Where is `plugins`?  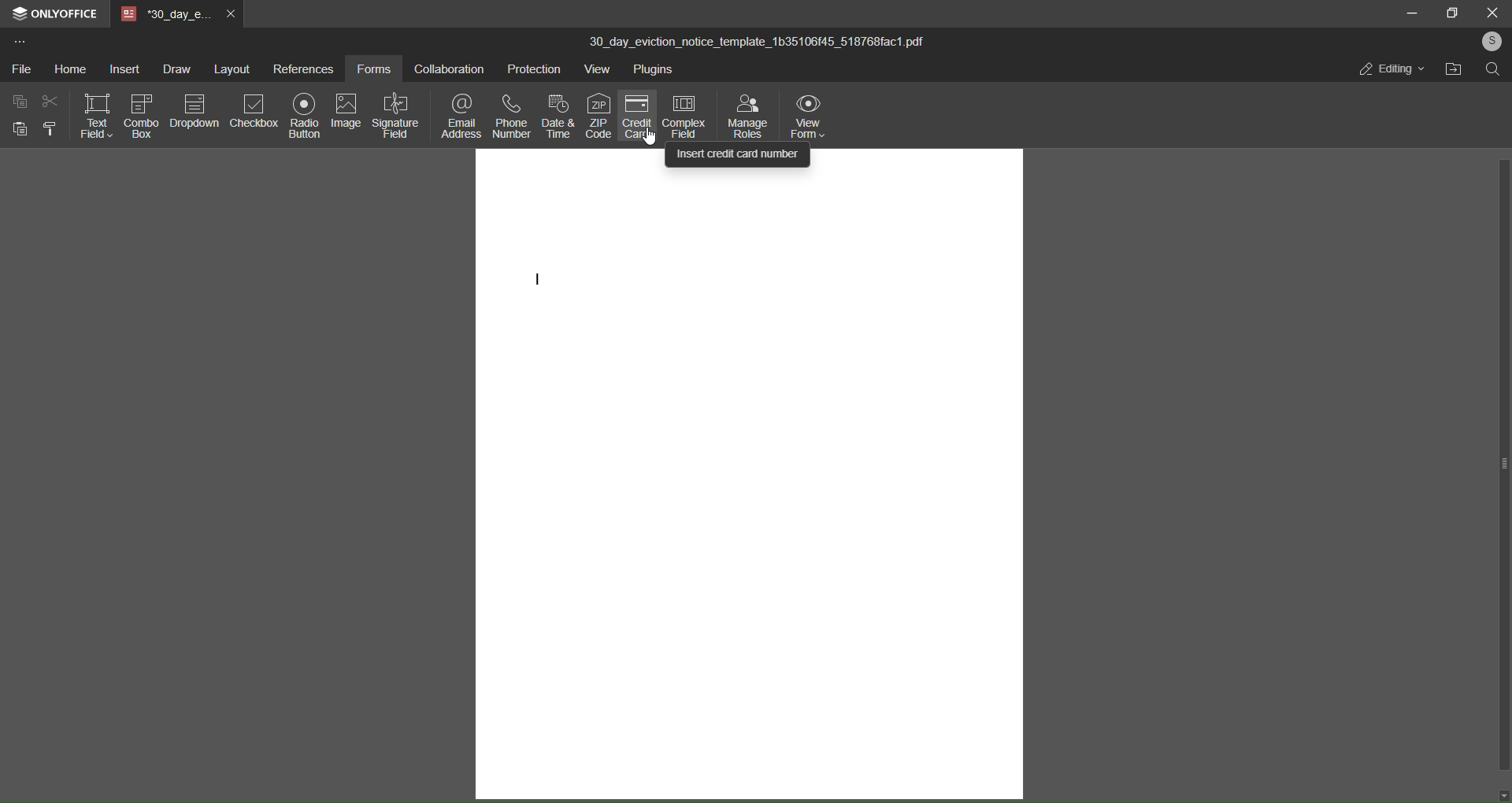
plugins is located at coordinates (655, 71).